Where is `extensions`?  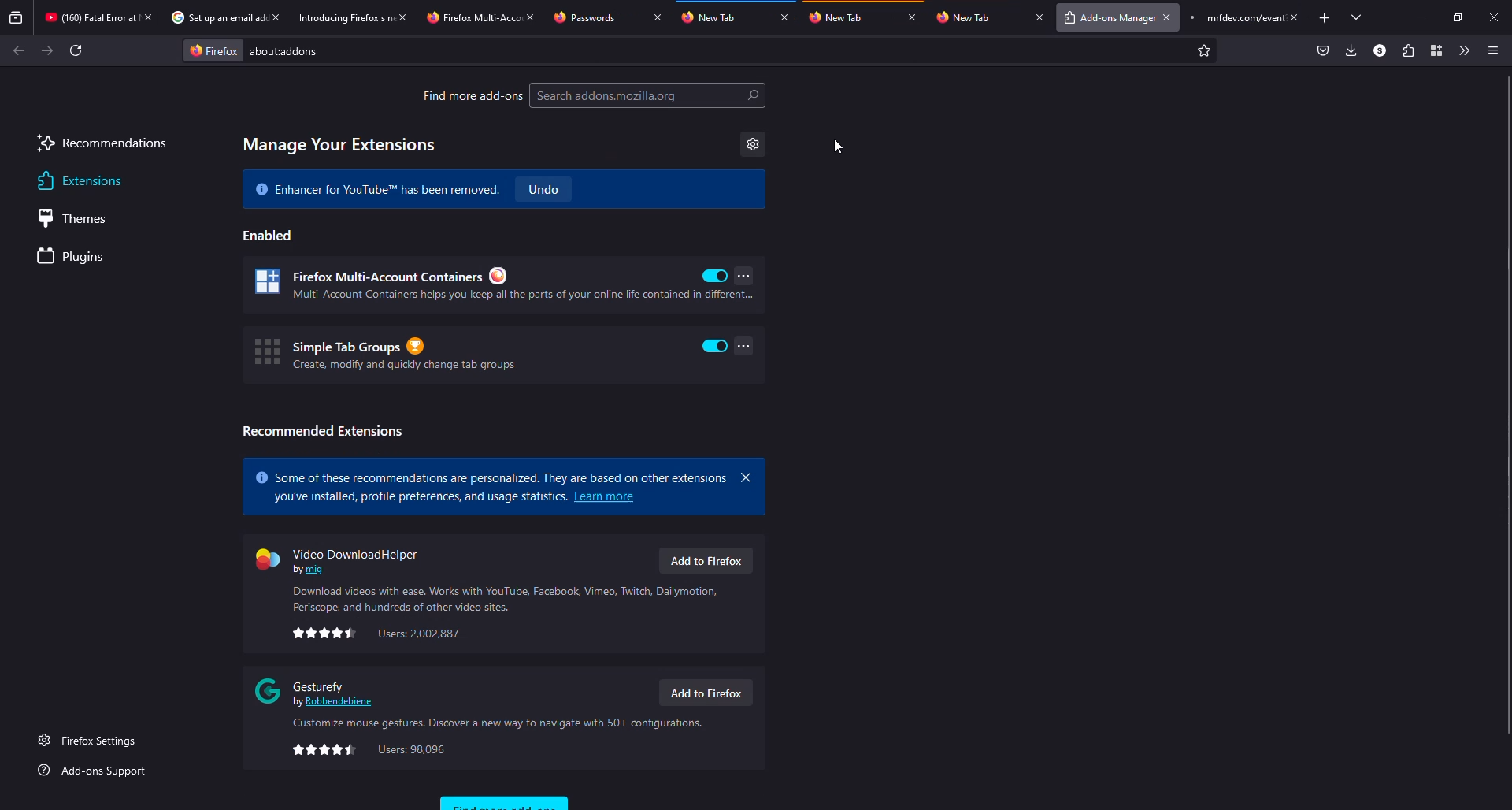 extensions is located at coordinates (1406, 50).